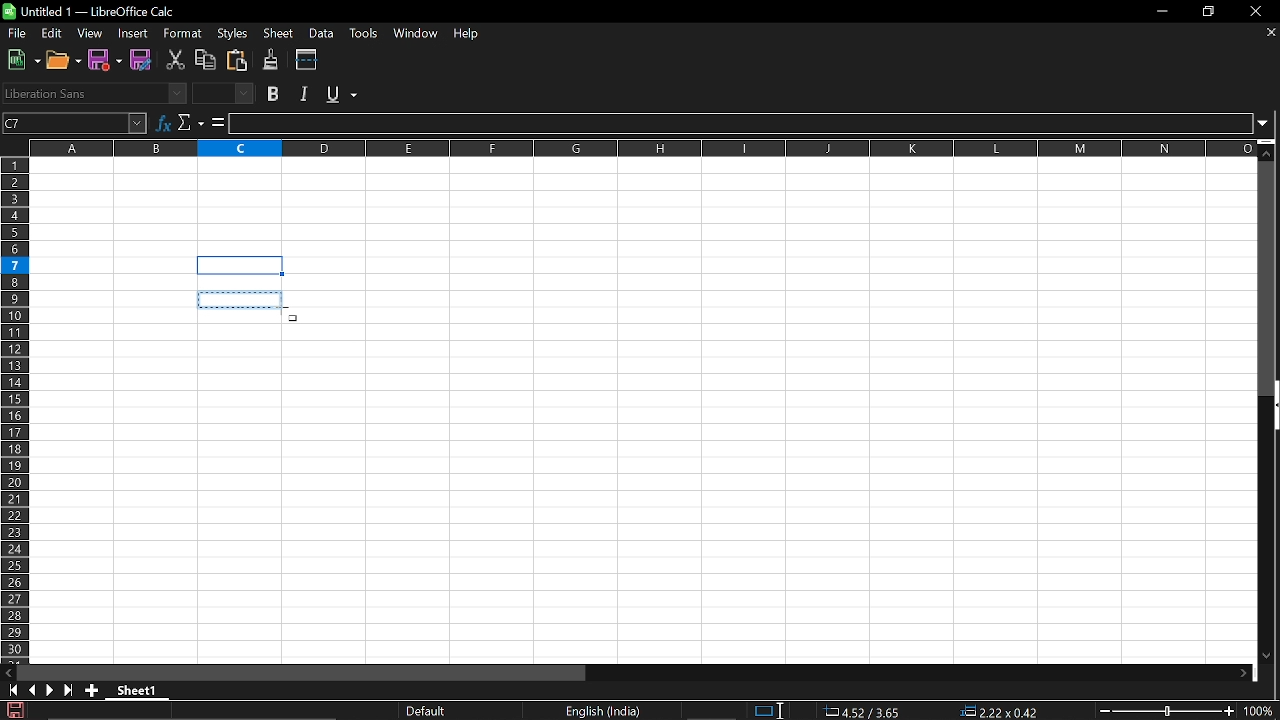 The image size is (1280, 720). I want to click on Restore down, so click(1208, 13).